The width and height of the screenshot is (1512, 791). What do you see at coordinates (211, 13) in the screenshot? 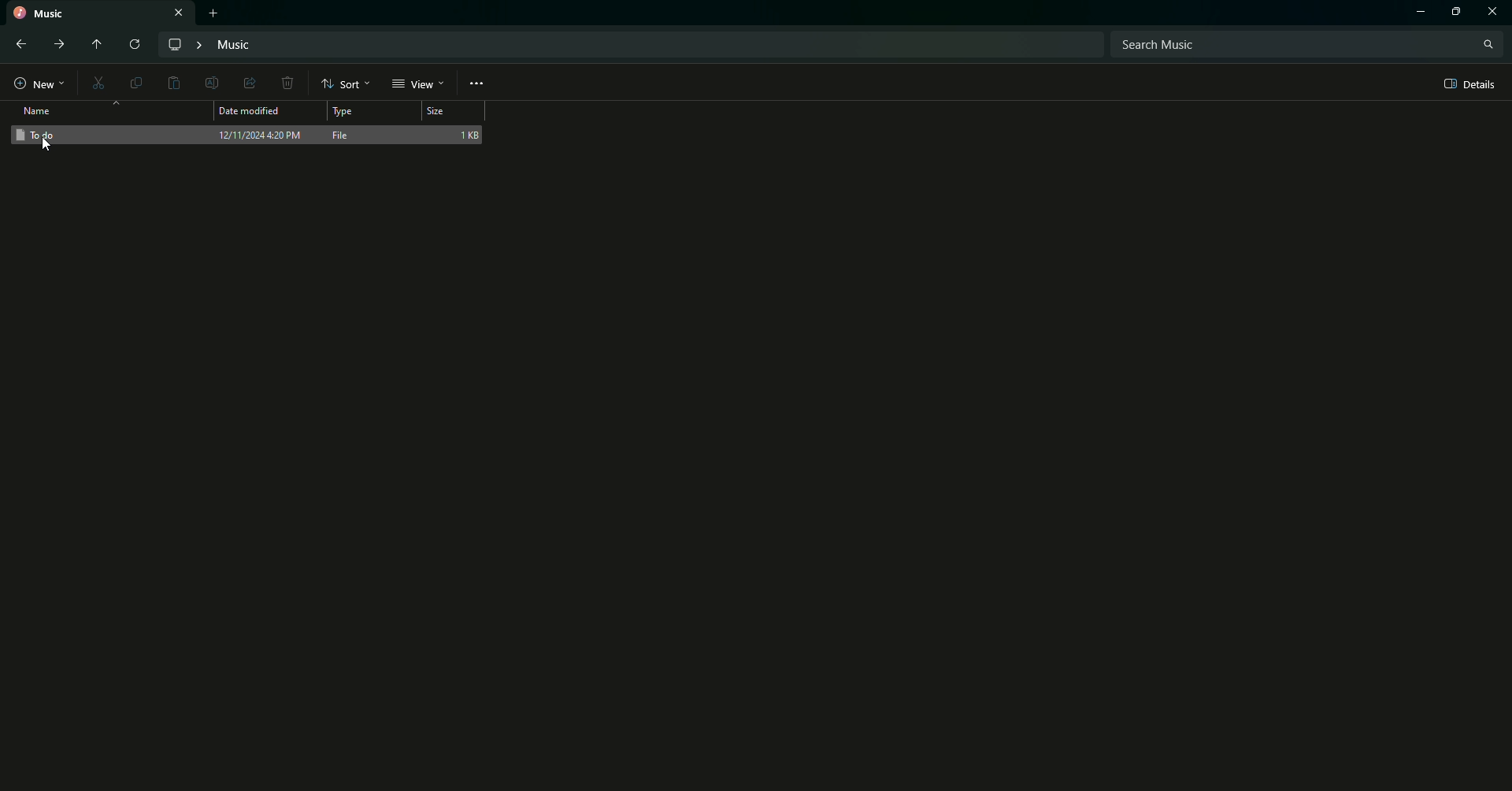
I see `New tab` at bounding box center [211, 13].